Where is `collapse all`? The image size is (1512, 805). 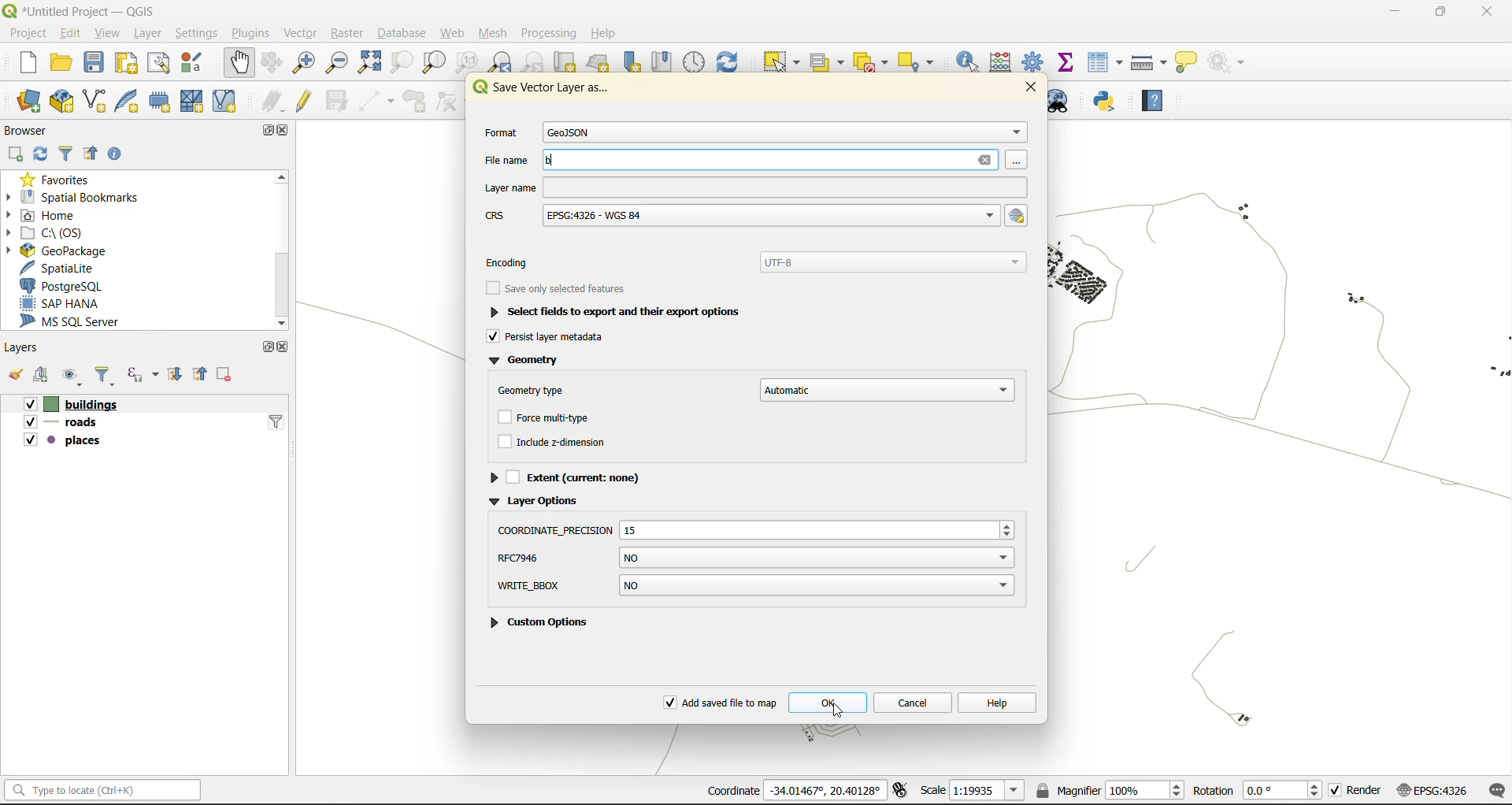 collapse all is located at coordinates (91, 152).